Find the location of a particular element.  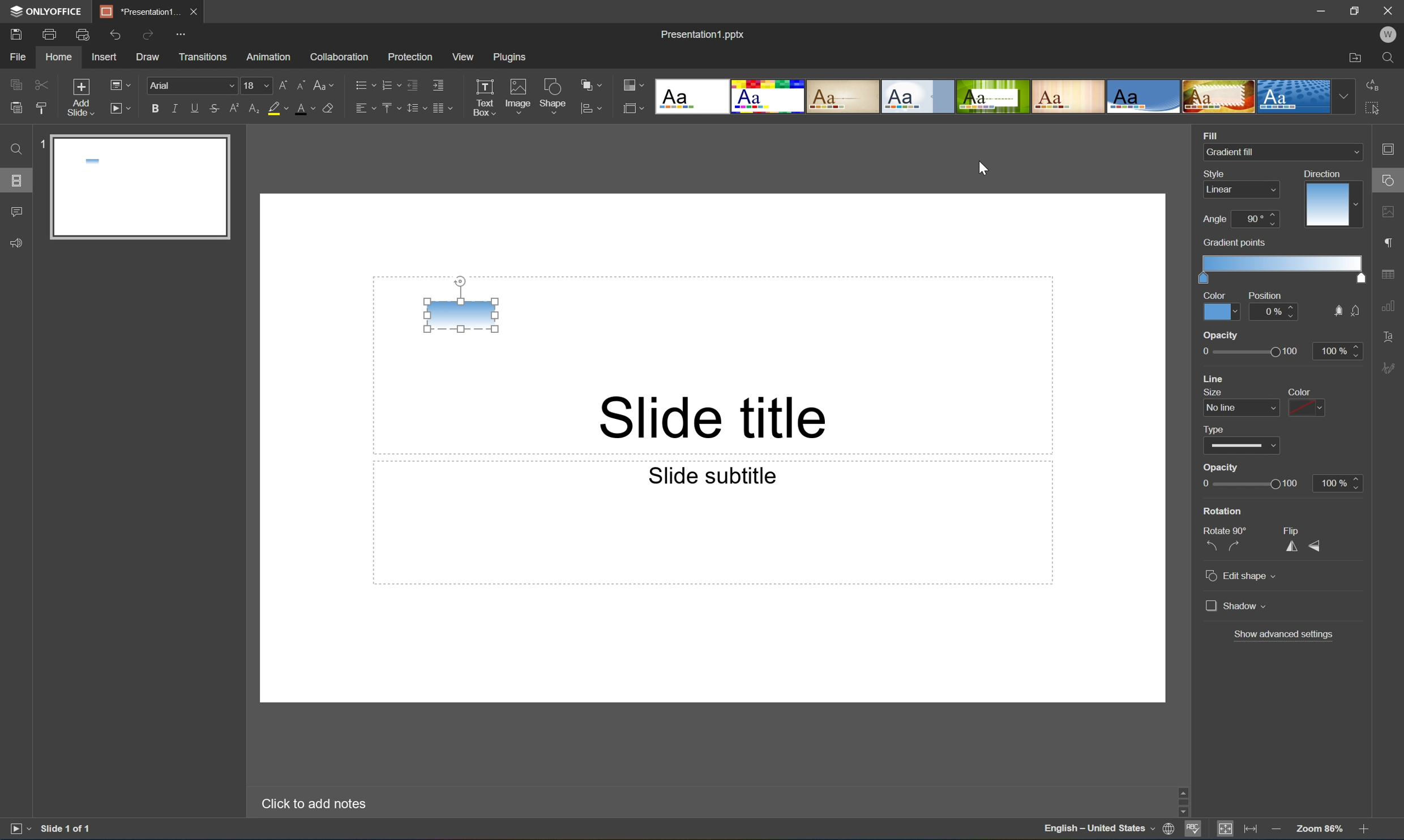

opacity slider is located at coordinates (1244, 352).